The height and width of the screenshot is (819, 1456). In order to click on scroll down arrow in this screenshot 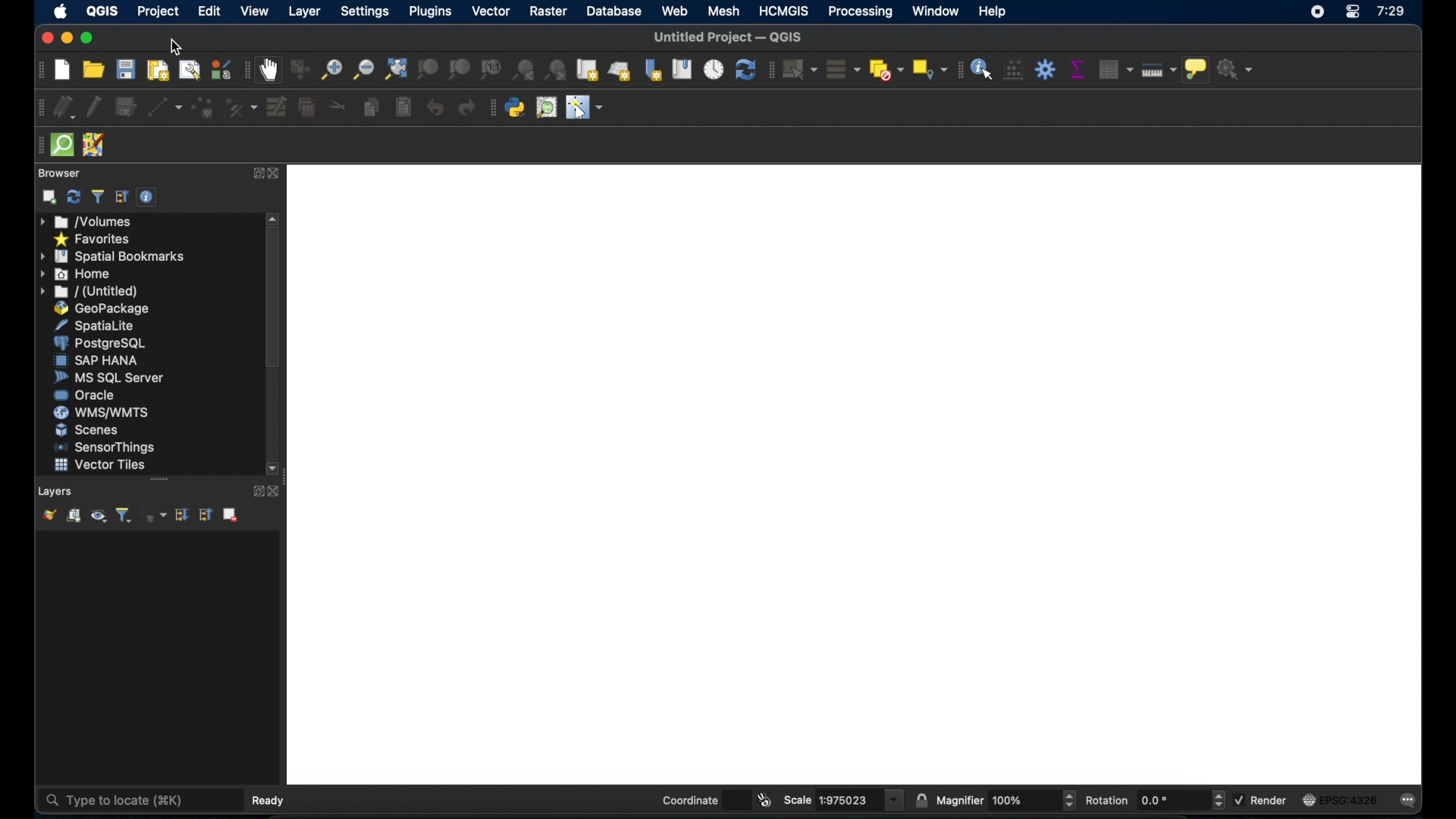, I will do `click(275, 469)`.